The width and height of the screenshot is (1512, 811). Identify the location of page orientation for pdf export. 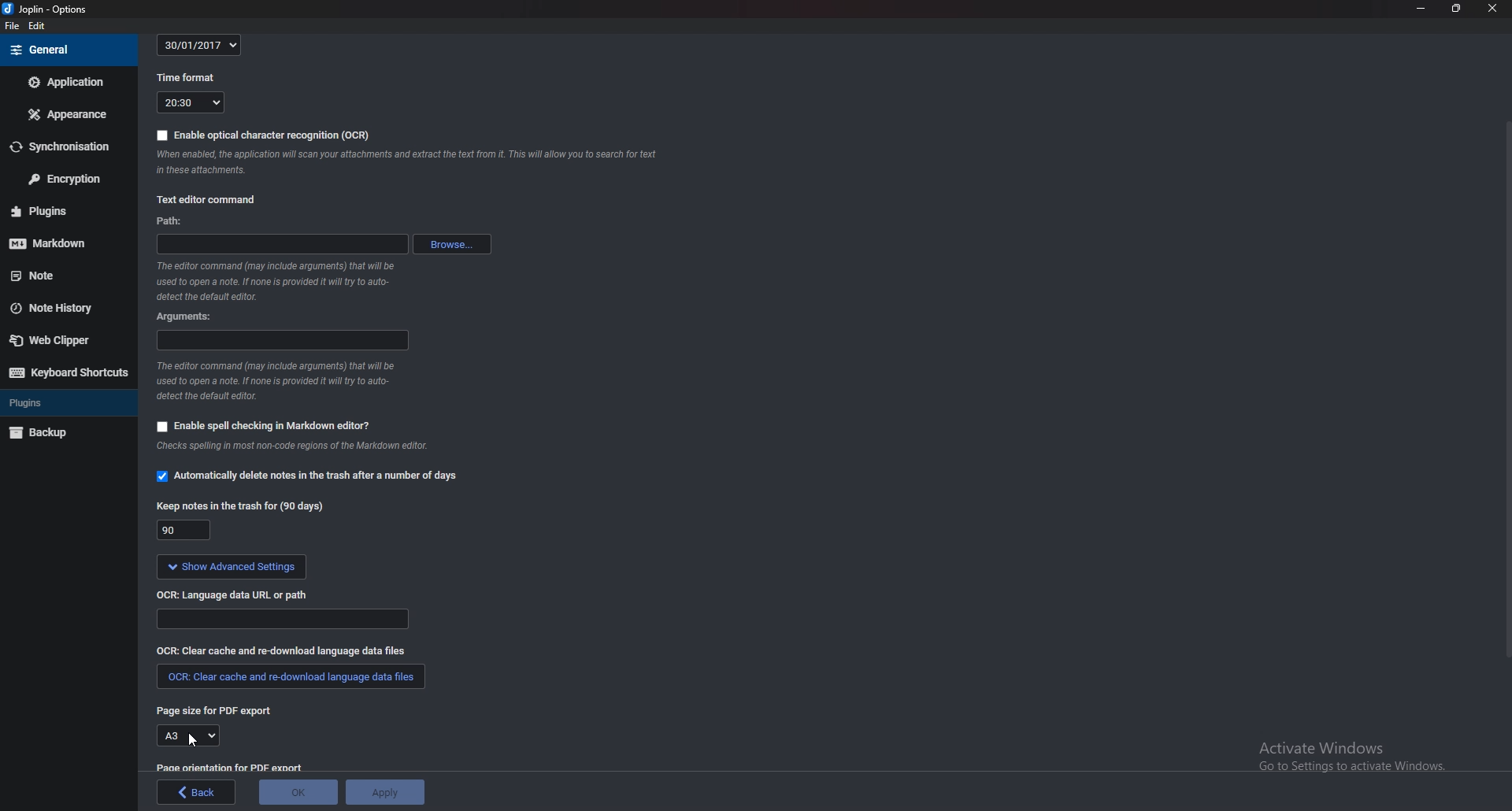
(228, 768).